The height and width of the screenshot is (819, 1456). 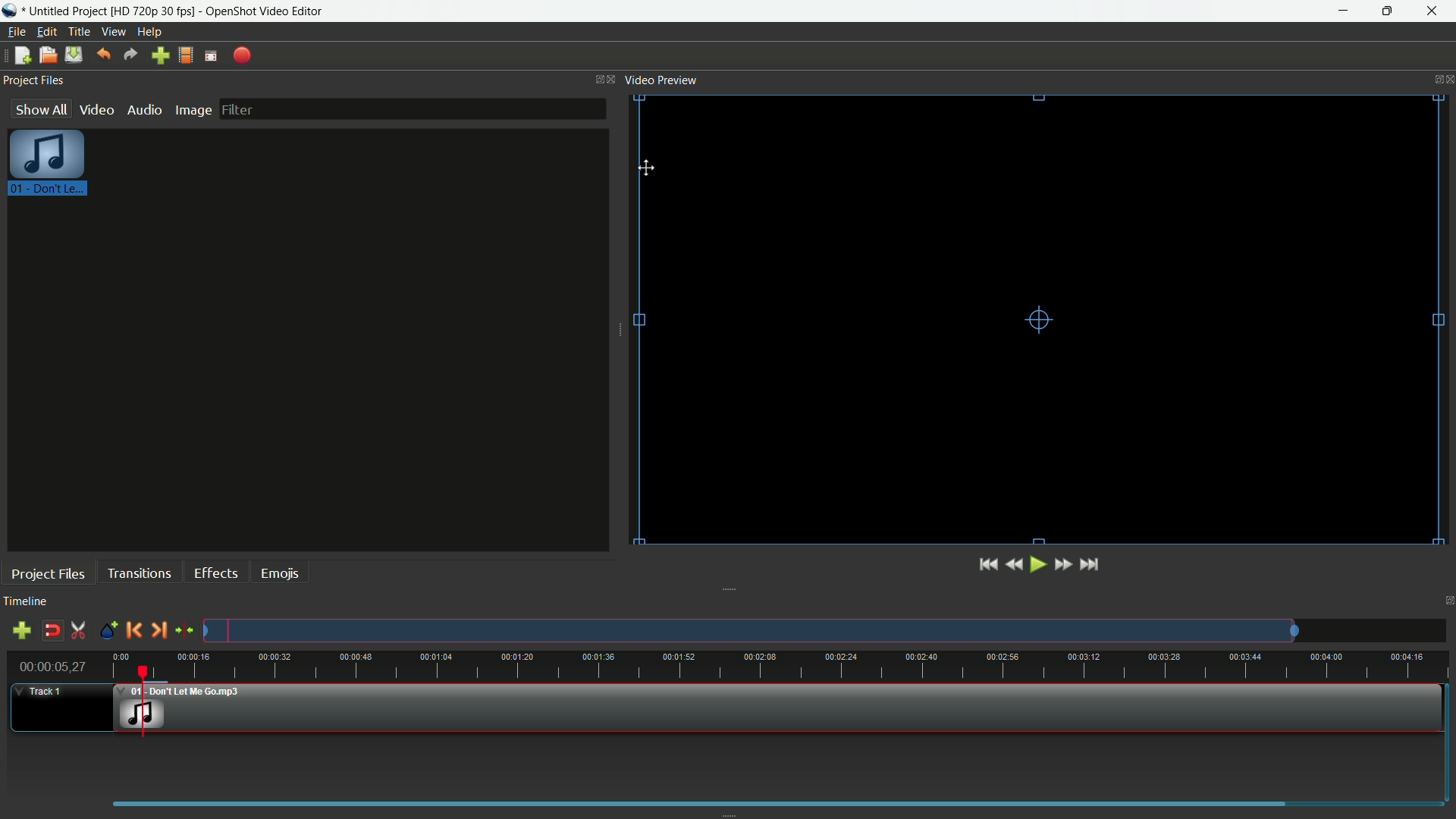 I want to click on emojis, so click(x=279, y=573).